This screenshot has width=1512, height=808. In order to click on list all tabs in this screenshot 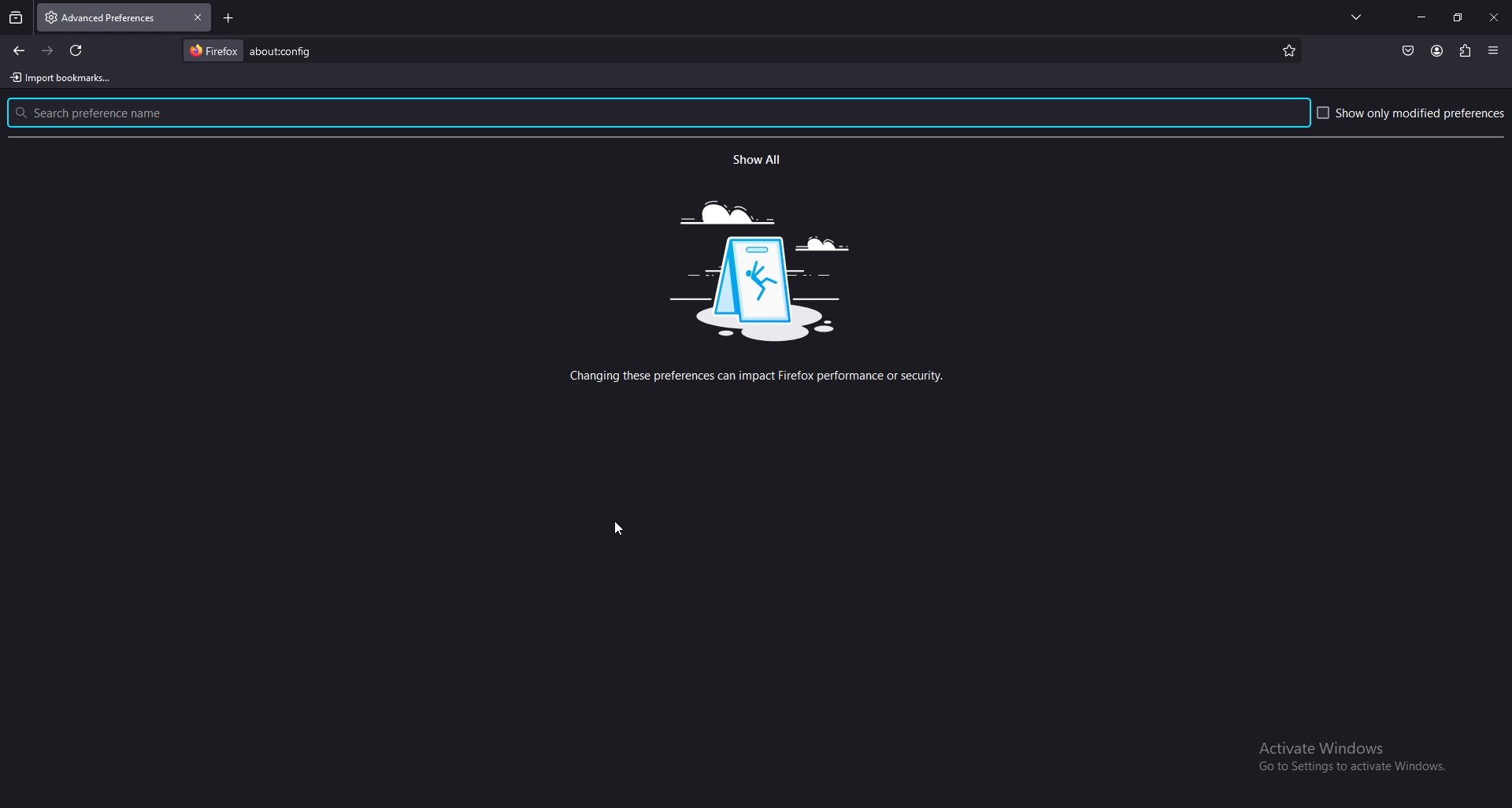, I will do `click(1358, 16)`.